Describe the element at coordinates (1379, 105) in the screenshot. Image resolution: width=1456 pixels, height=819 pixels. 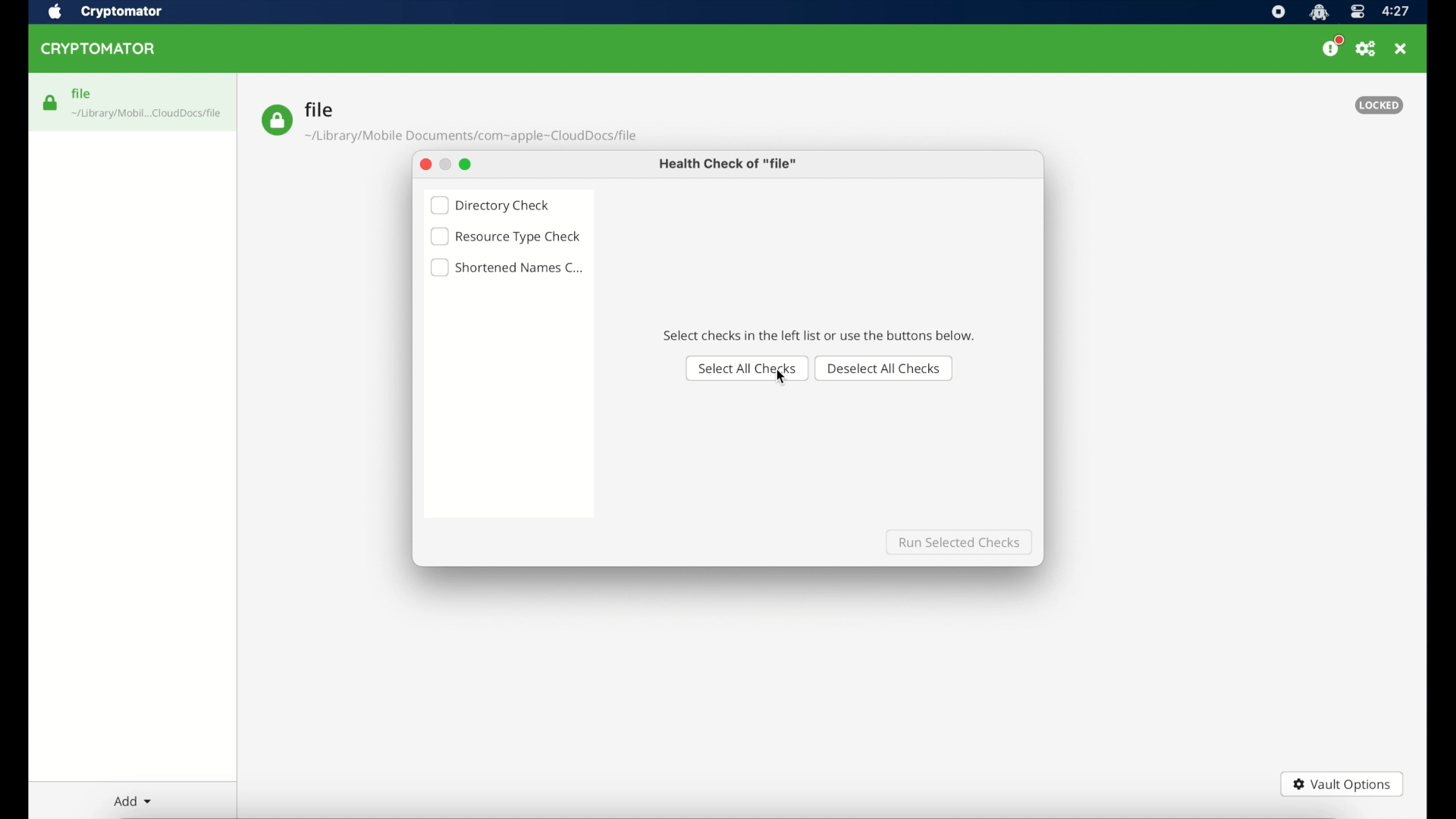
I see `locked` at that location.